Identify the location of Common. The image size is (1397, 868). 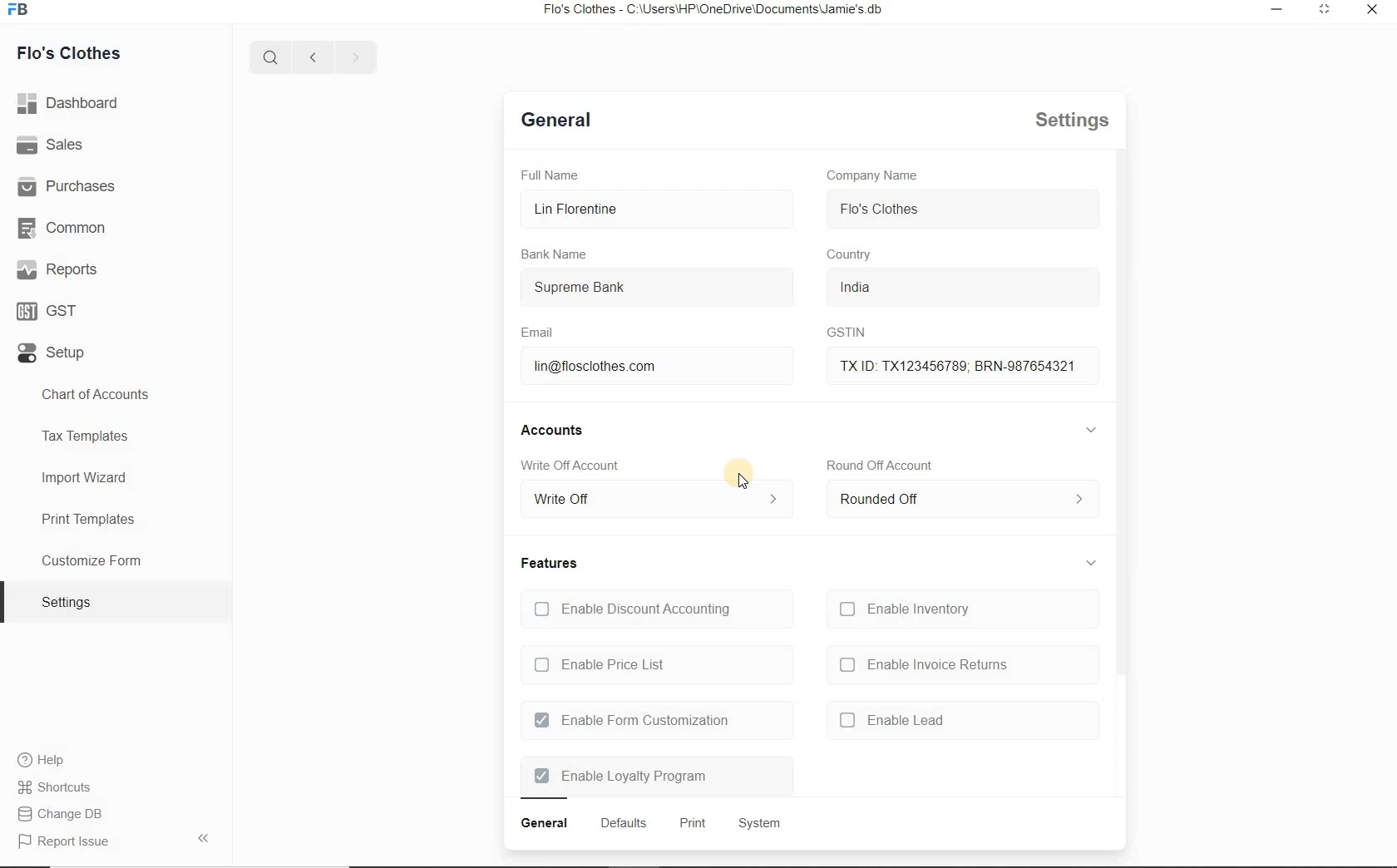
(61, 228).